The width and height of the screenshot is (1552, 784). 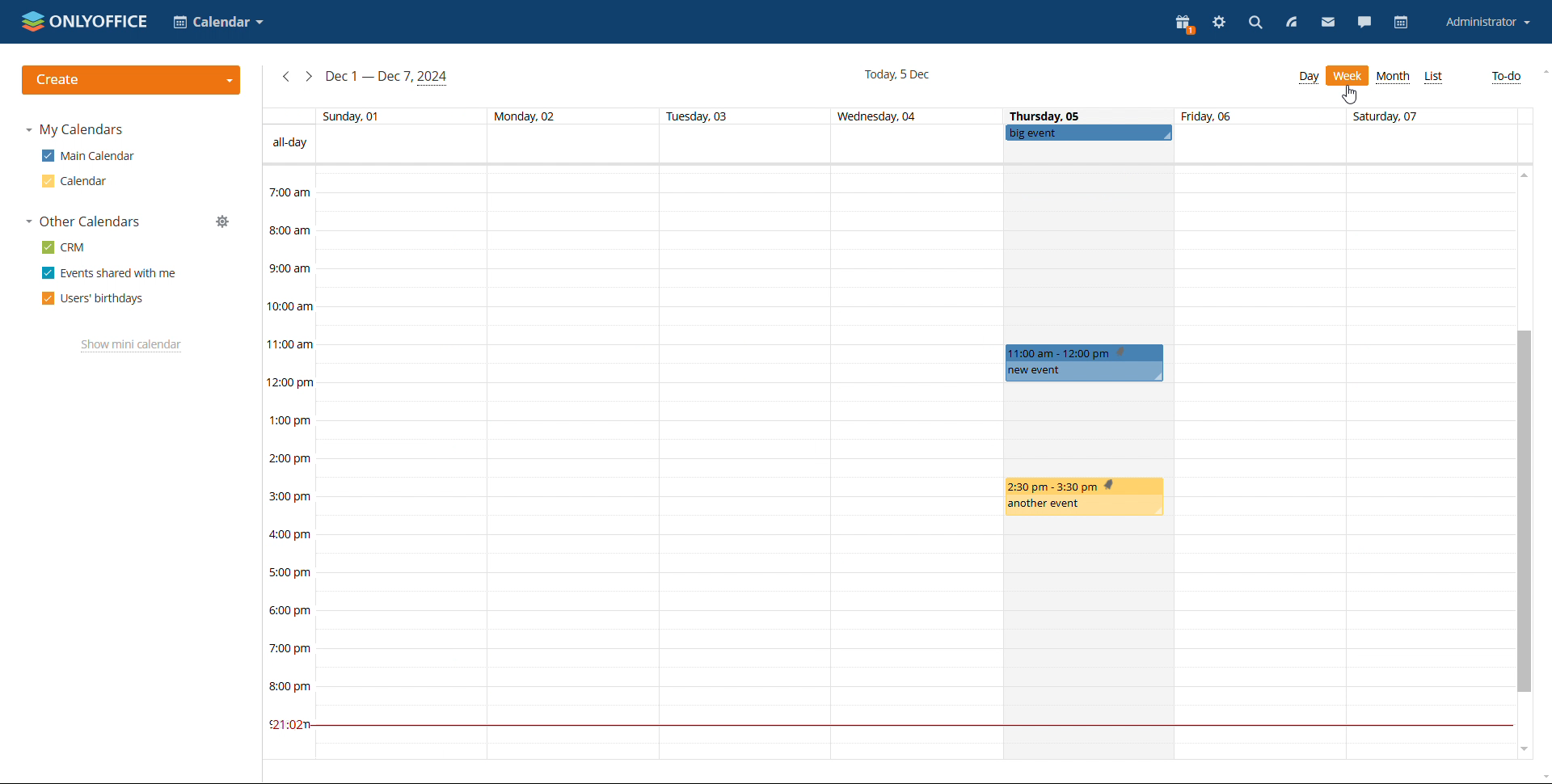 What do you see at coordinates (288, 462) in the screenshot?
I see `timeline` at bounding box center [288, 462].